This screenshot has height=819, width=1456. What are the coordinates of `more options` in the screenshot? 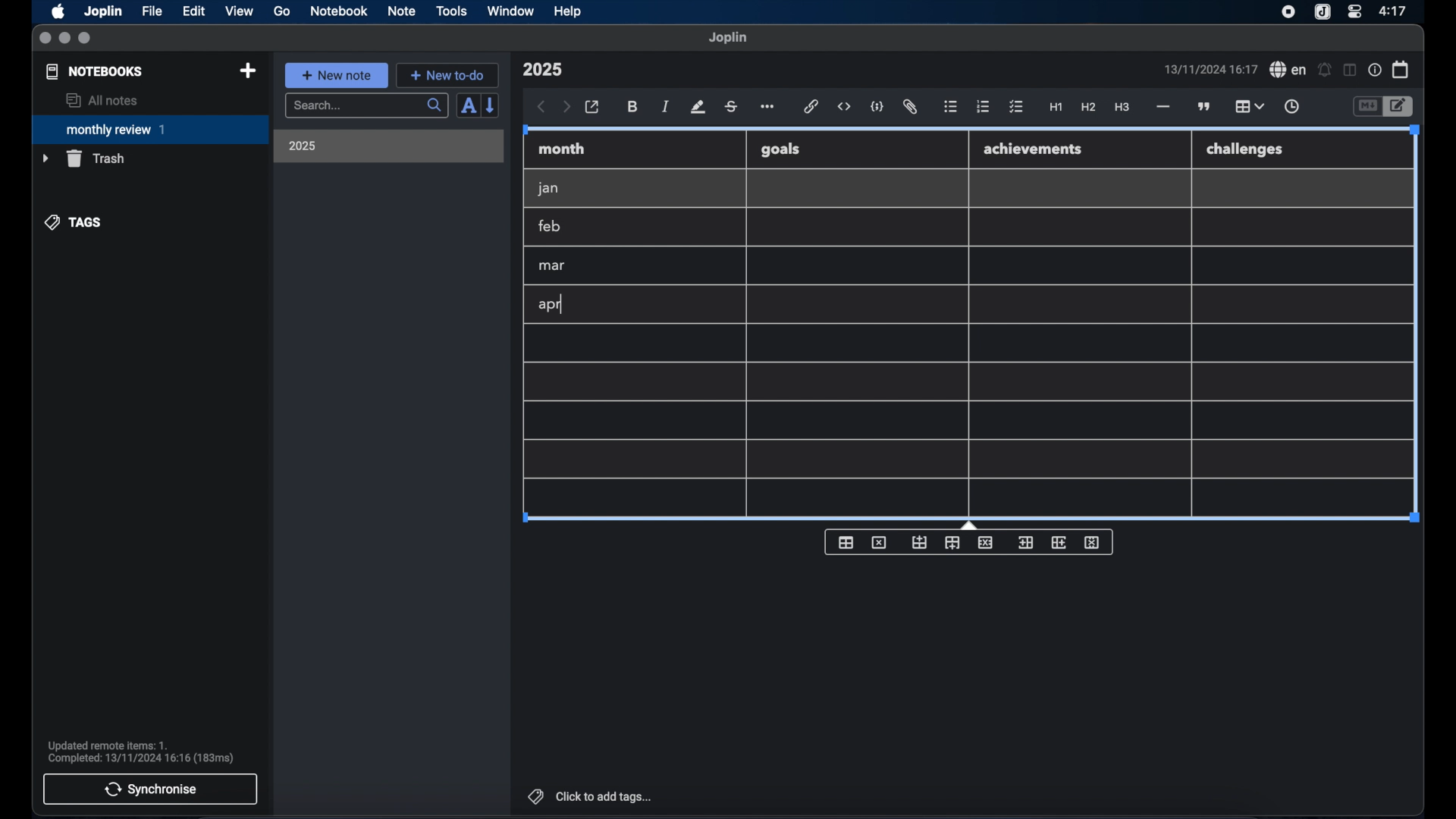 It's located at (769, 108).